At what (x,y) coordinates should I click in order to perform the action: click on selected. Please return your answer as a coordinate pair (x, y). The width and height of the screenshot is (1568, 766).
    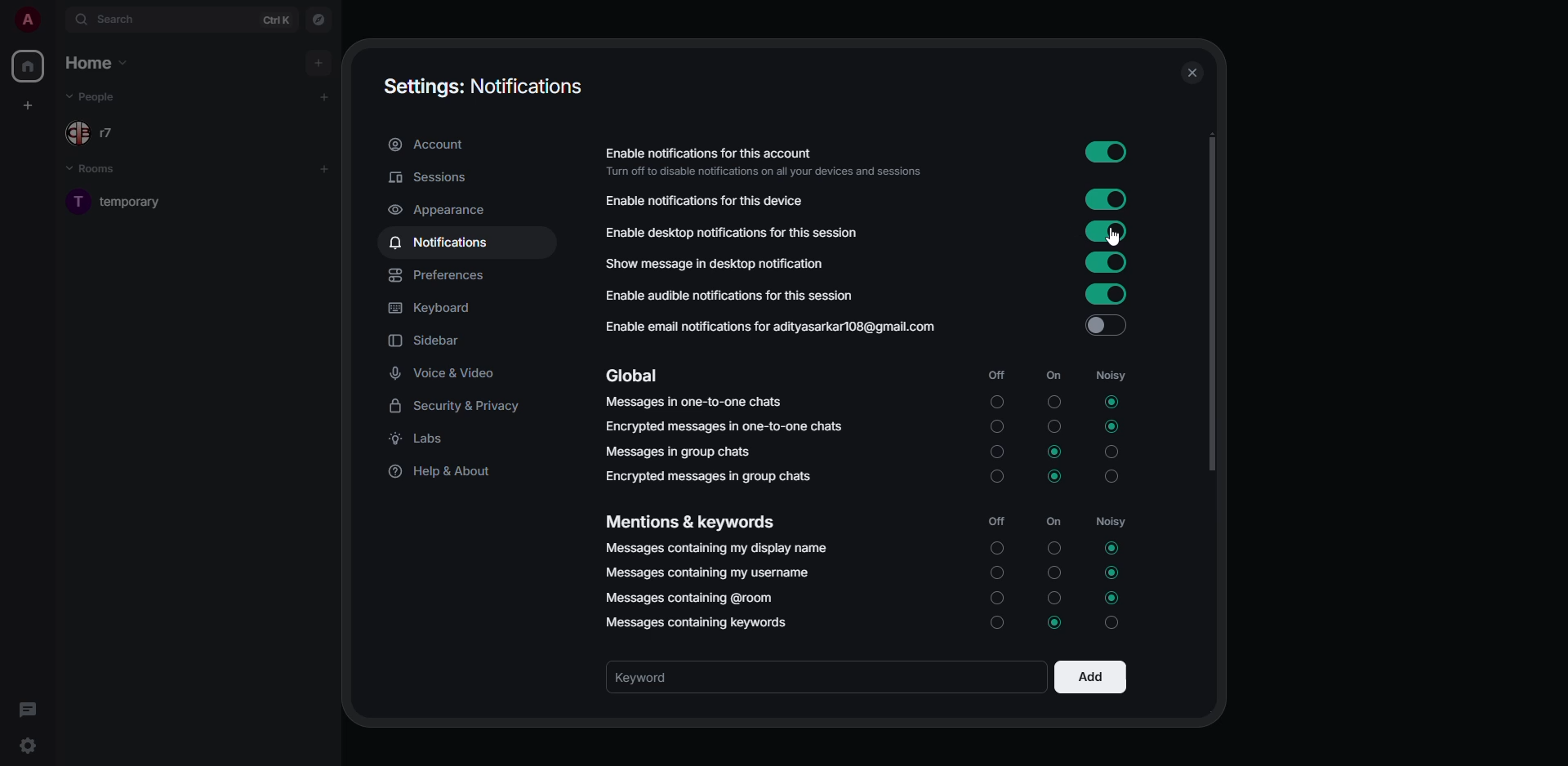
    Looking at the image, I should click on (1111, 402).